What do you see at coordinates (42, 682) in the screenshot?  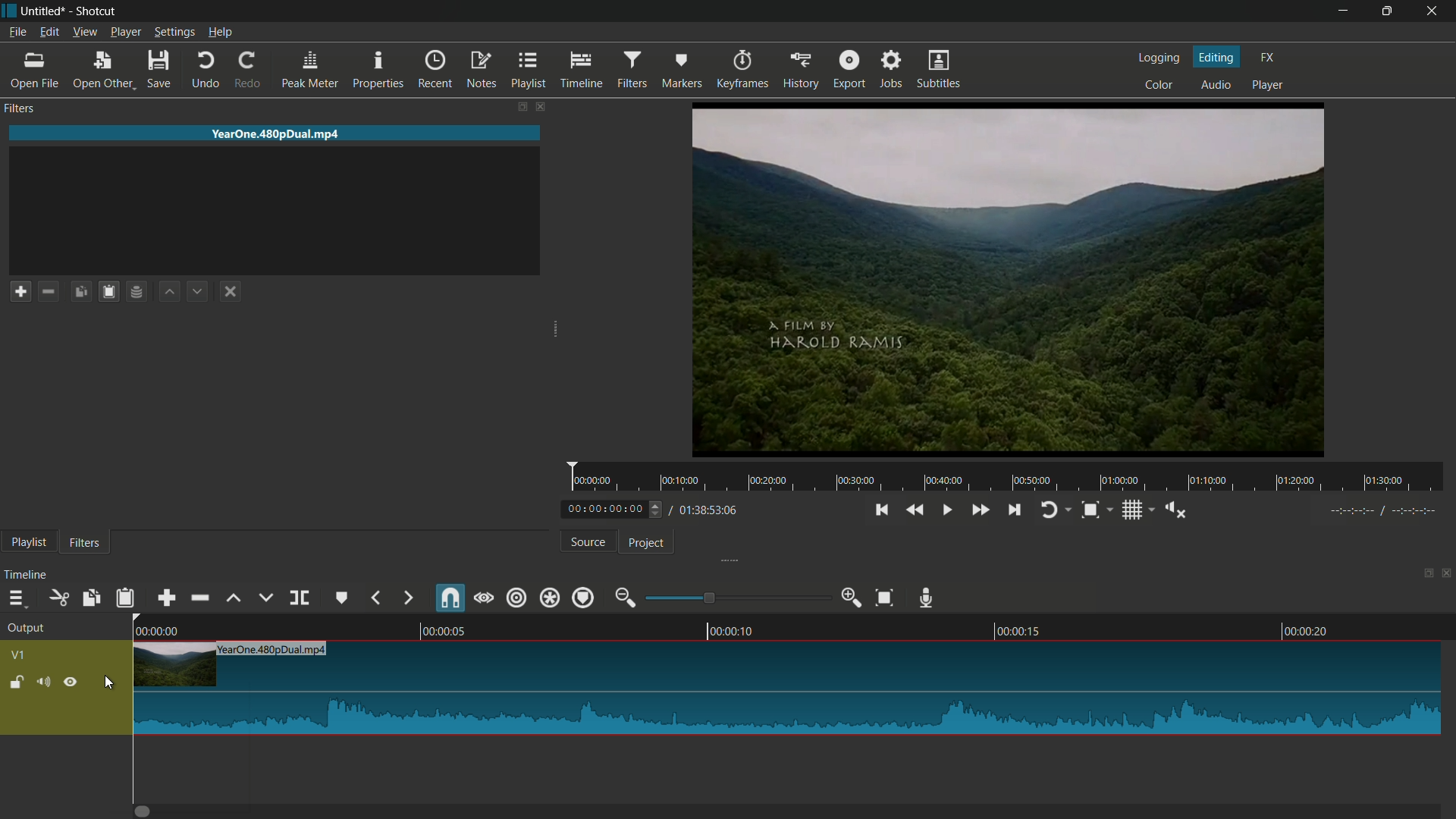 I see `mute` at bounding box center [42, 682].